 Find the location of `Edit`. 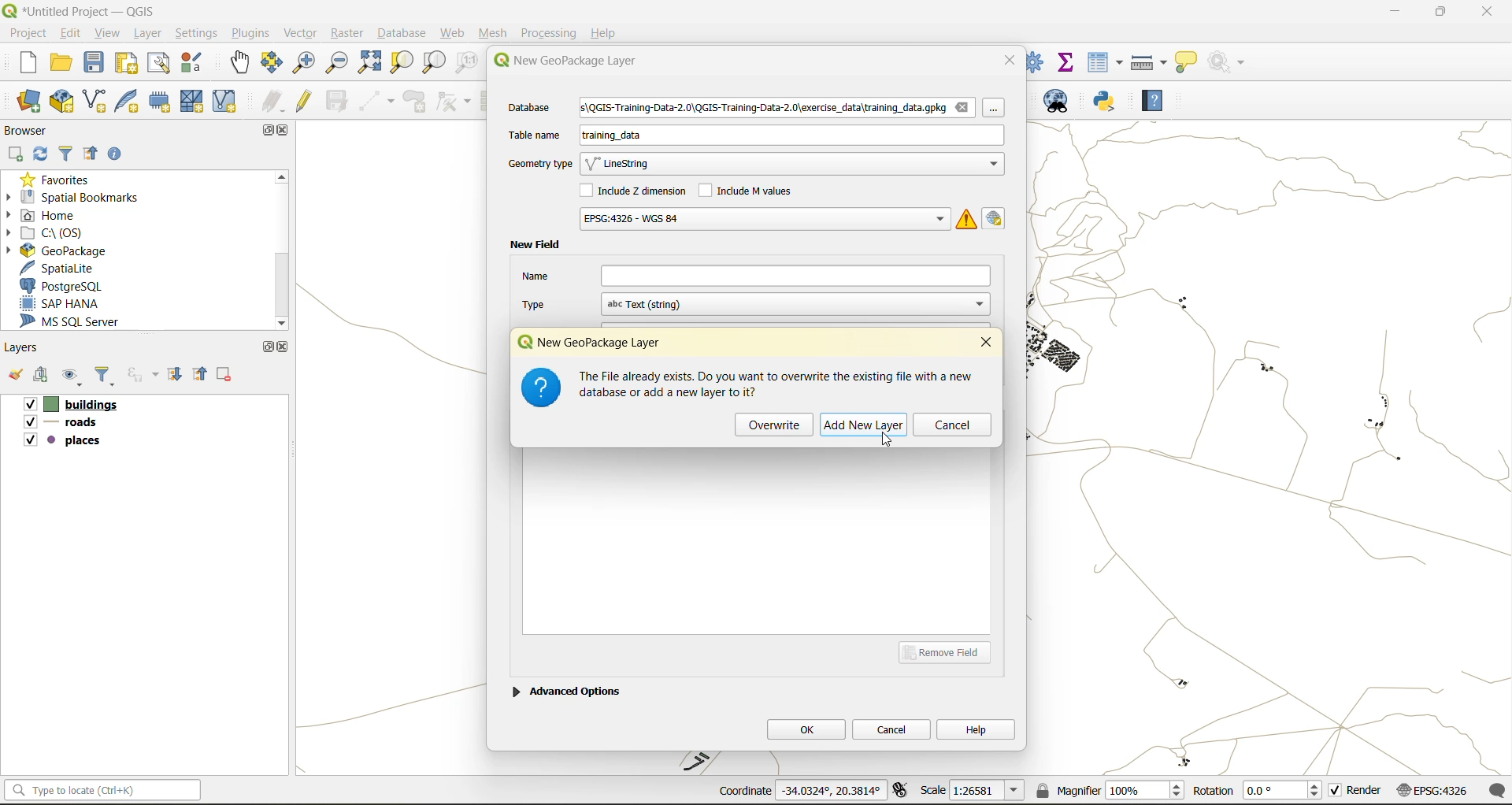

Edit is located at coordinates (997, 217).